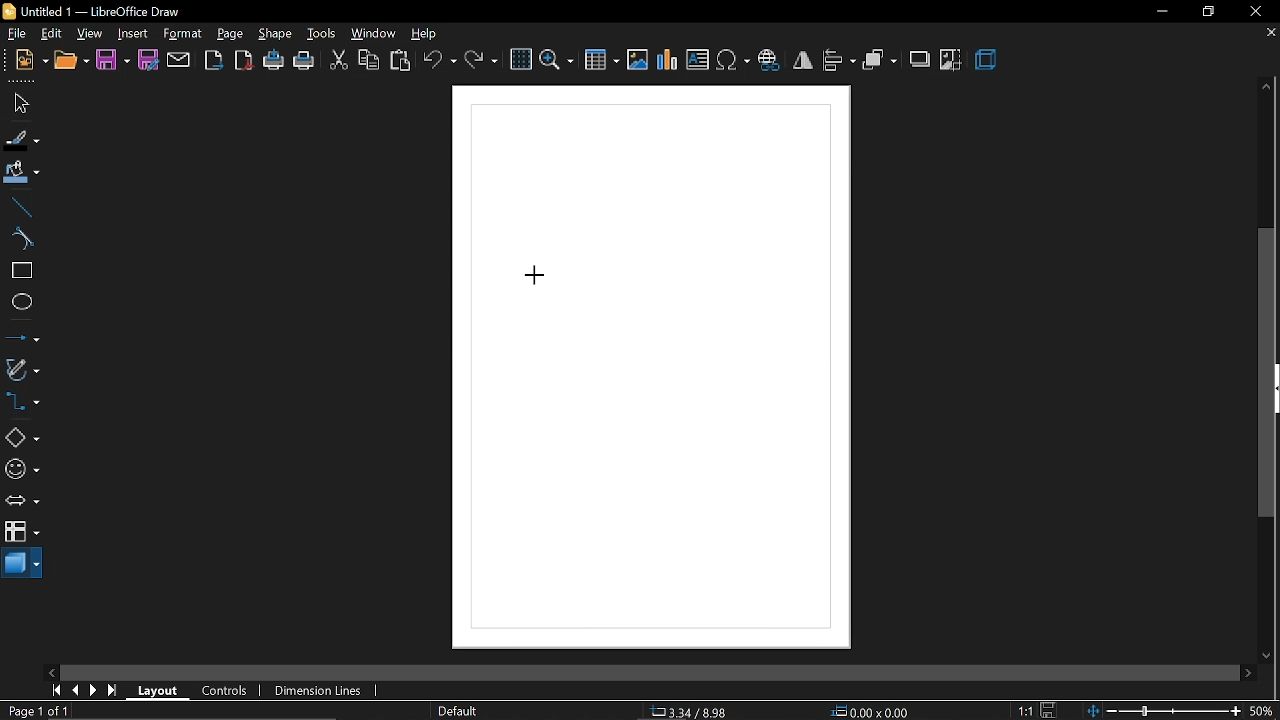  Describe the element at coordinates (1206, 14) in the screenshot. I see `restore down` at that location.